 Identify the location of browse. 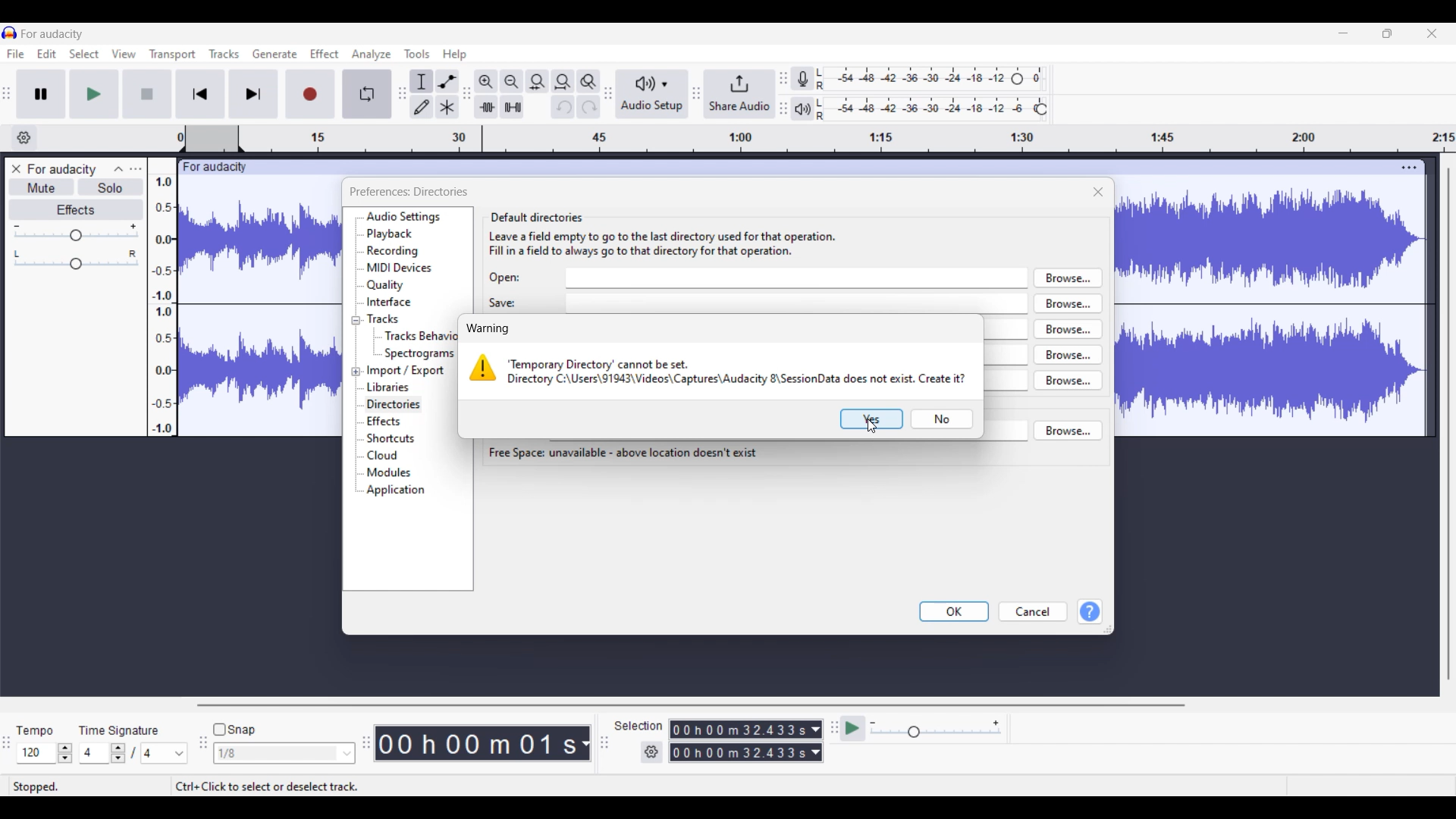
(1068, 380).